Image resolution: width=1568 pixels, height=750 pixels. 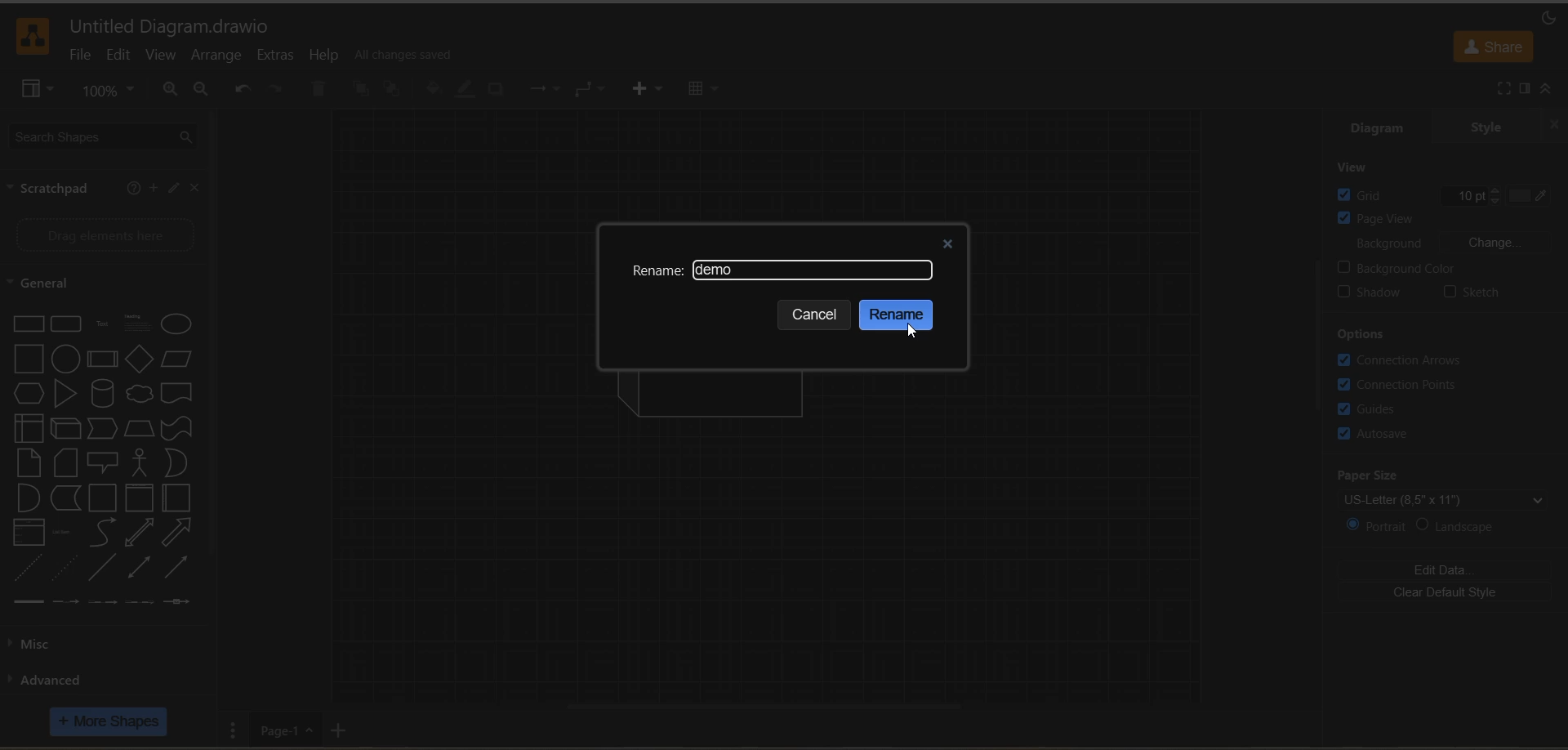 What do you see at coordinates (1452, 267) in the screenshot?
I see `background color` at bounding box center [1452, 267].